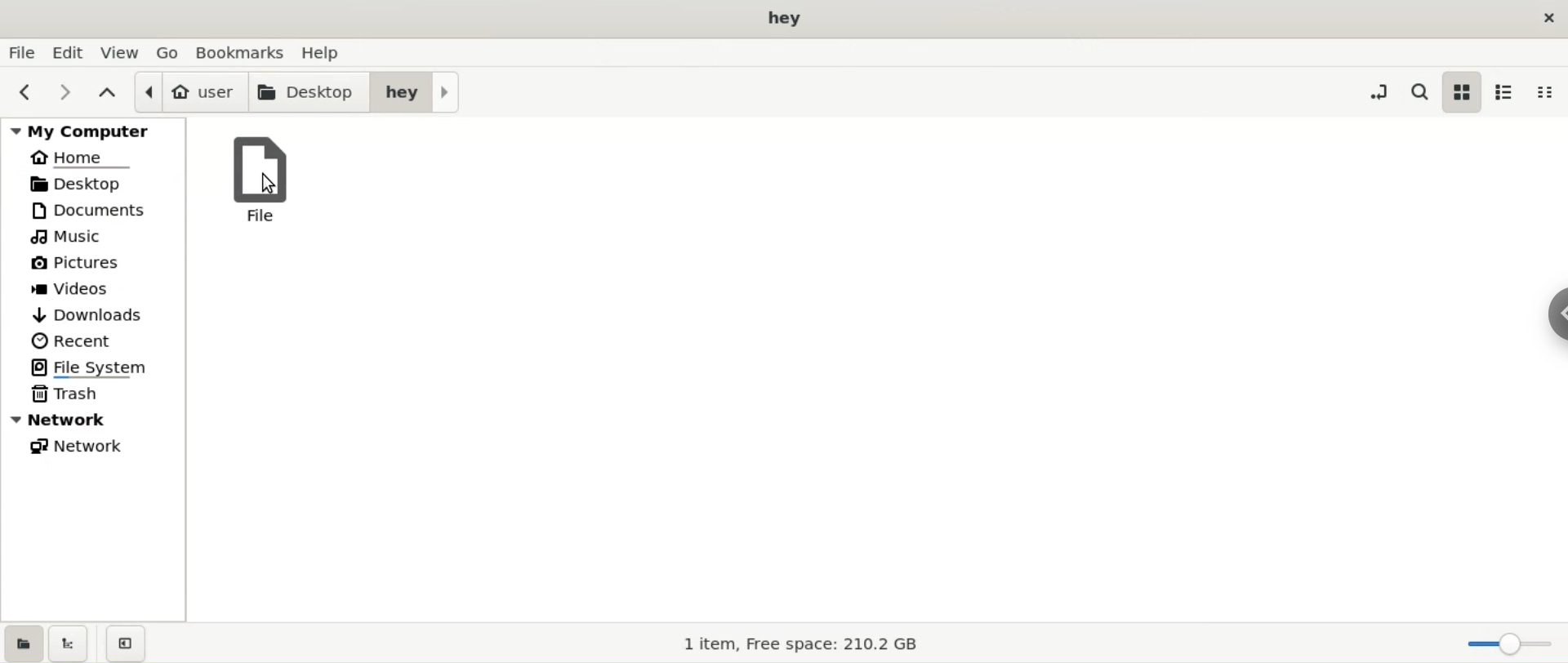  What do you see at coordinates (123, 52) in the screenshot?
I see `view` at bounding box center [123, 52].